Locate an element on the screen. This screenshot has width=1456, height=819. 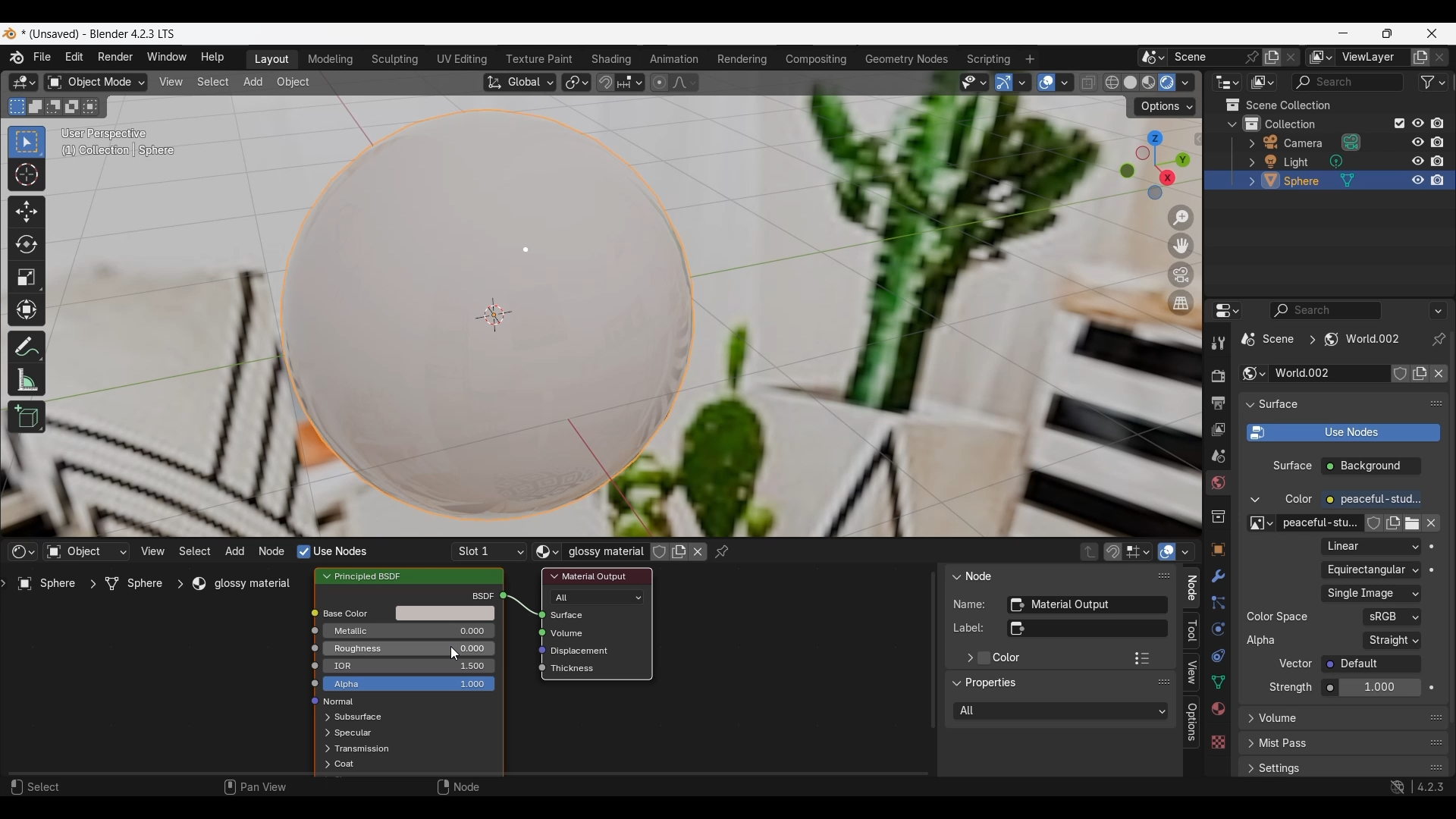
Proportional editing objects is located at coordinates (661, 83).